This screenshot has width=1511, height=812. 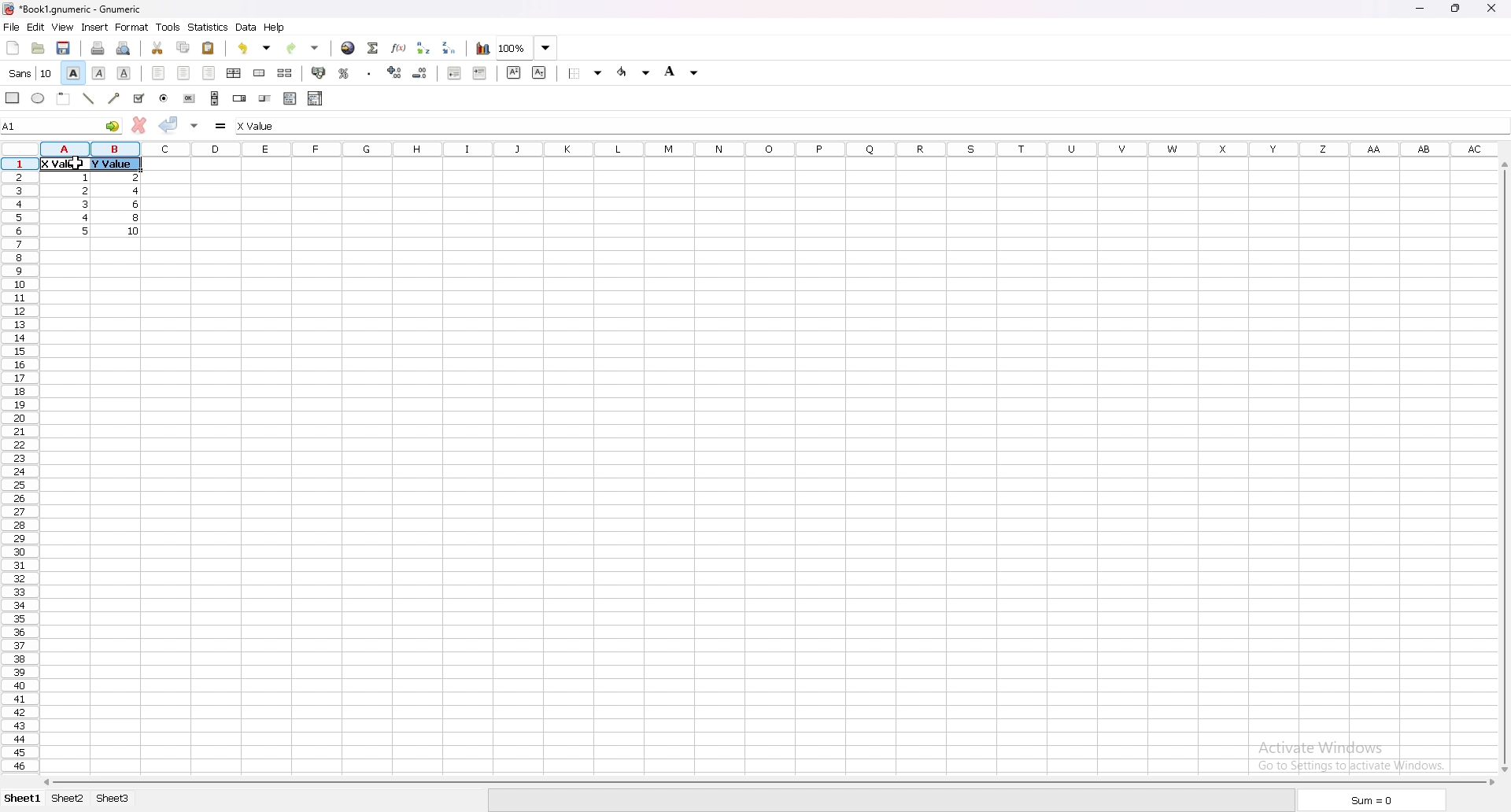 What do you see at coordinates (140, 191) in the screenshot?
I see `value` at bounding box center [140, 191].